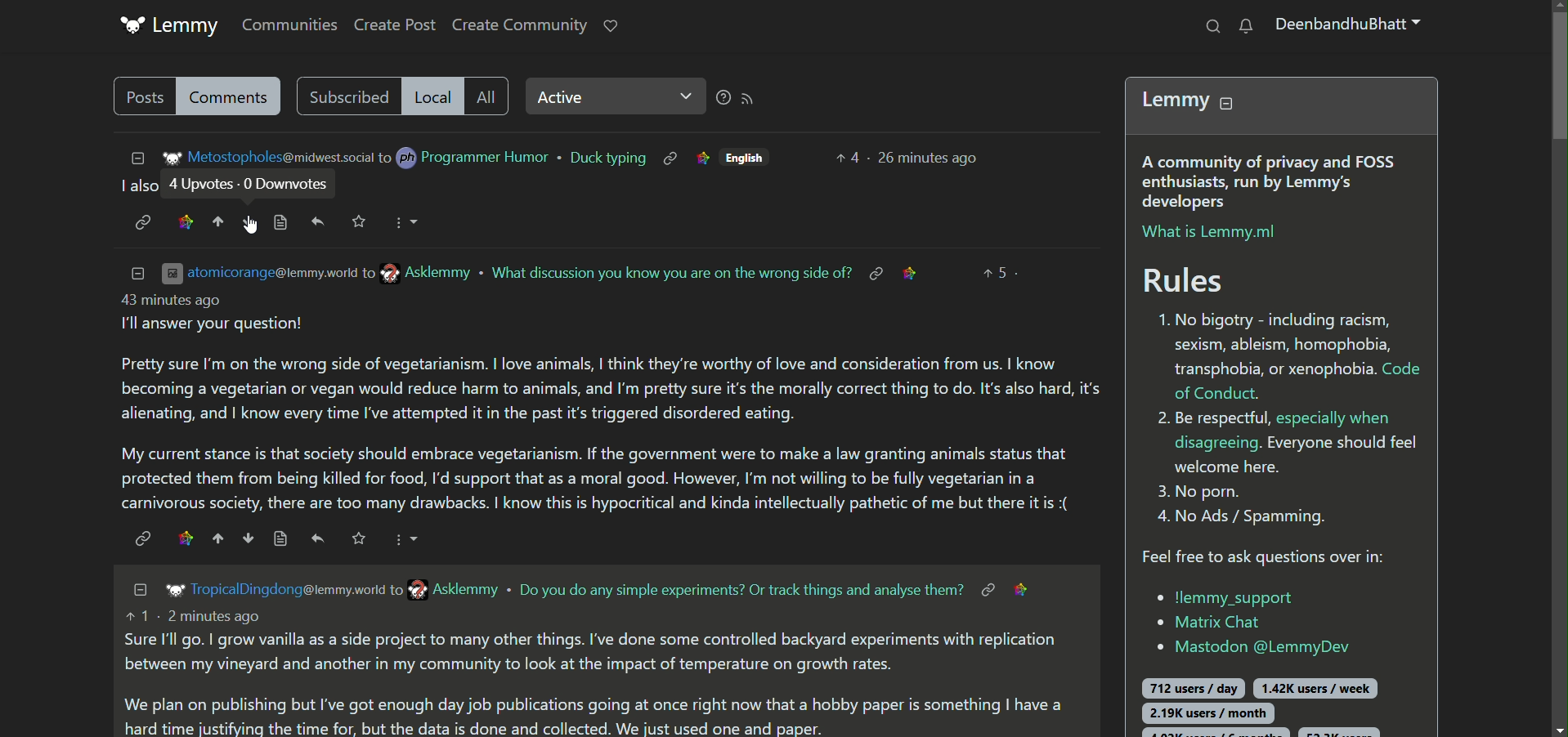 The width and height of the screenshot is (1568, 737). What do you see at coordinates (279, 538) in the screenshot?
I see `page` at bounding box center [279, 538].